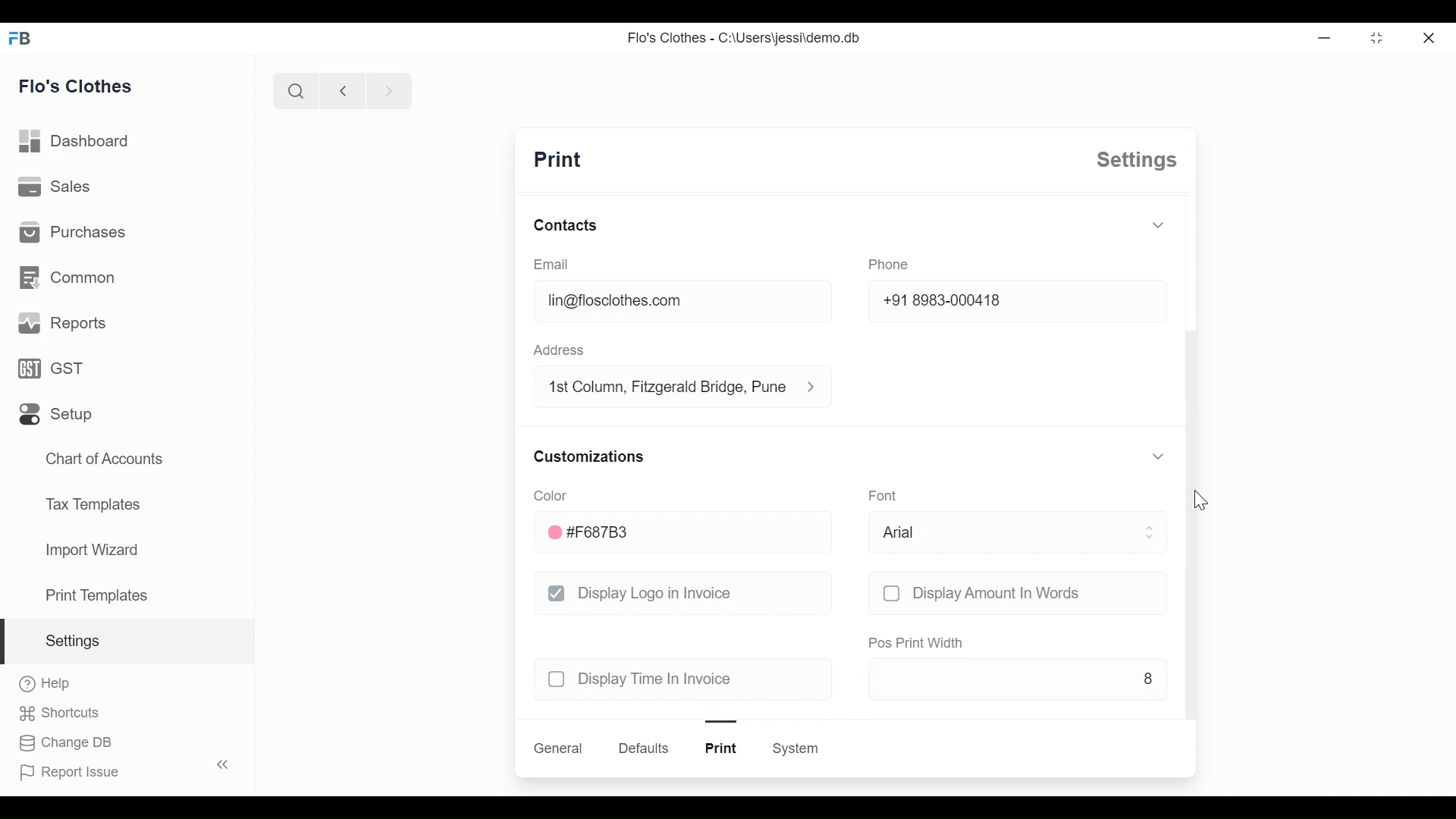 Image resolution: width=1456 pixels, height=819 pixels. I want to click on general, so click(559, 748).